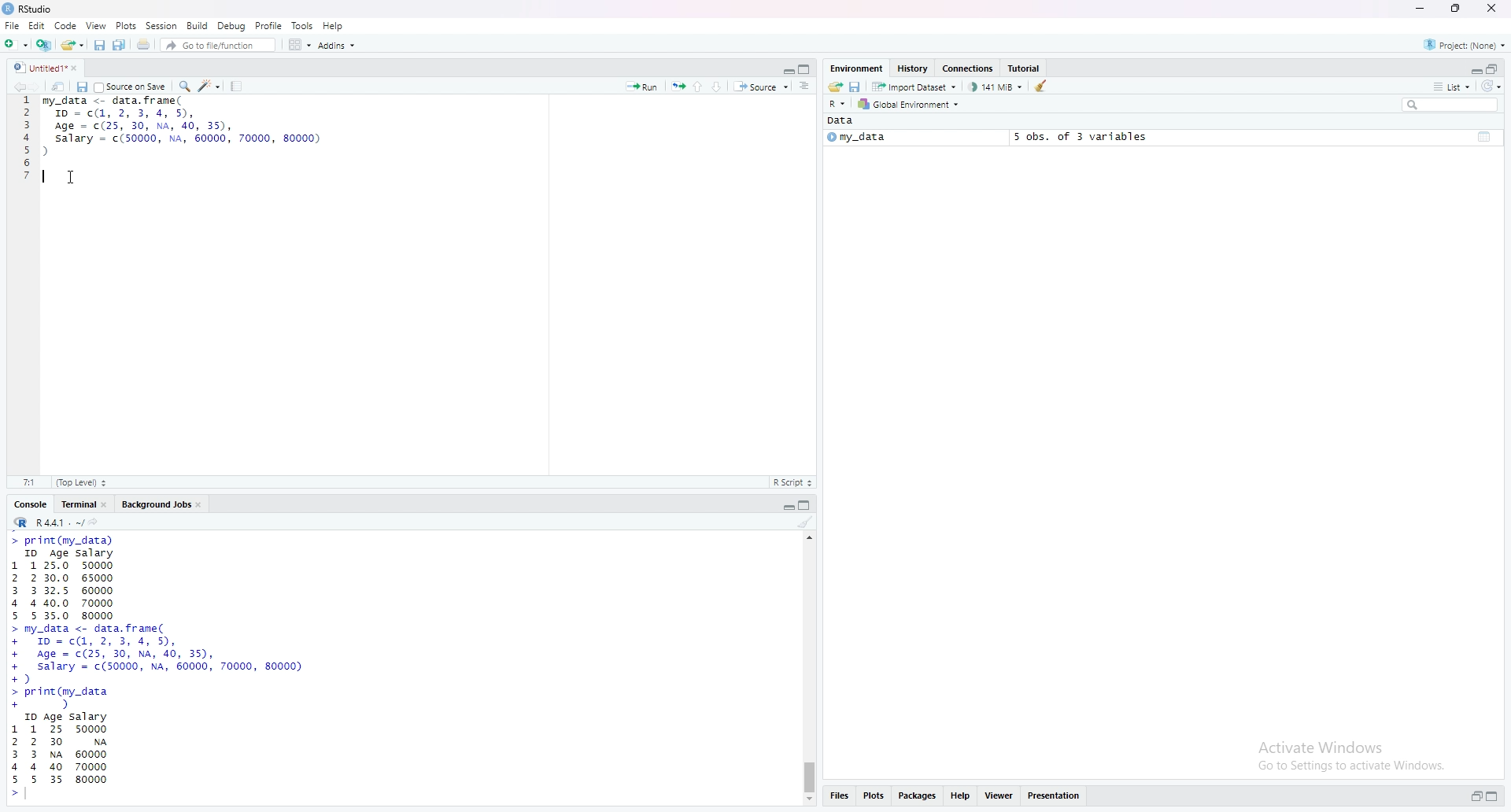 The height and width of the screenshot is (812, 1511). What do you see at coordinates (1042, 86) in the screenshot?
I see `clear object from the workspace` at bounding box center [1042, 86].